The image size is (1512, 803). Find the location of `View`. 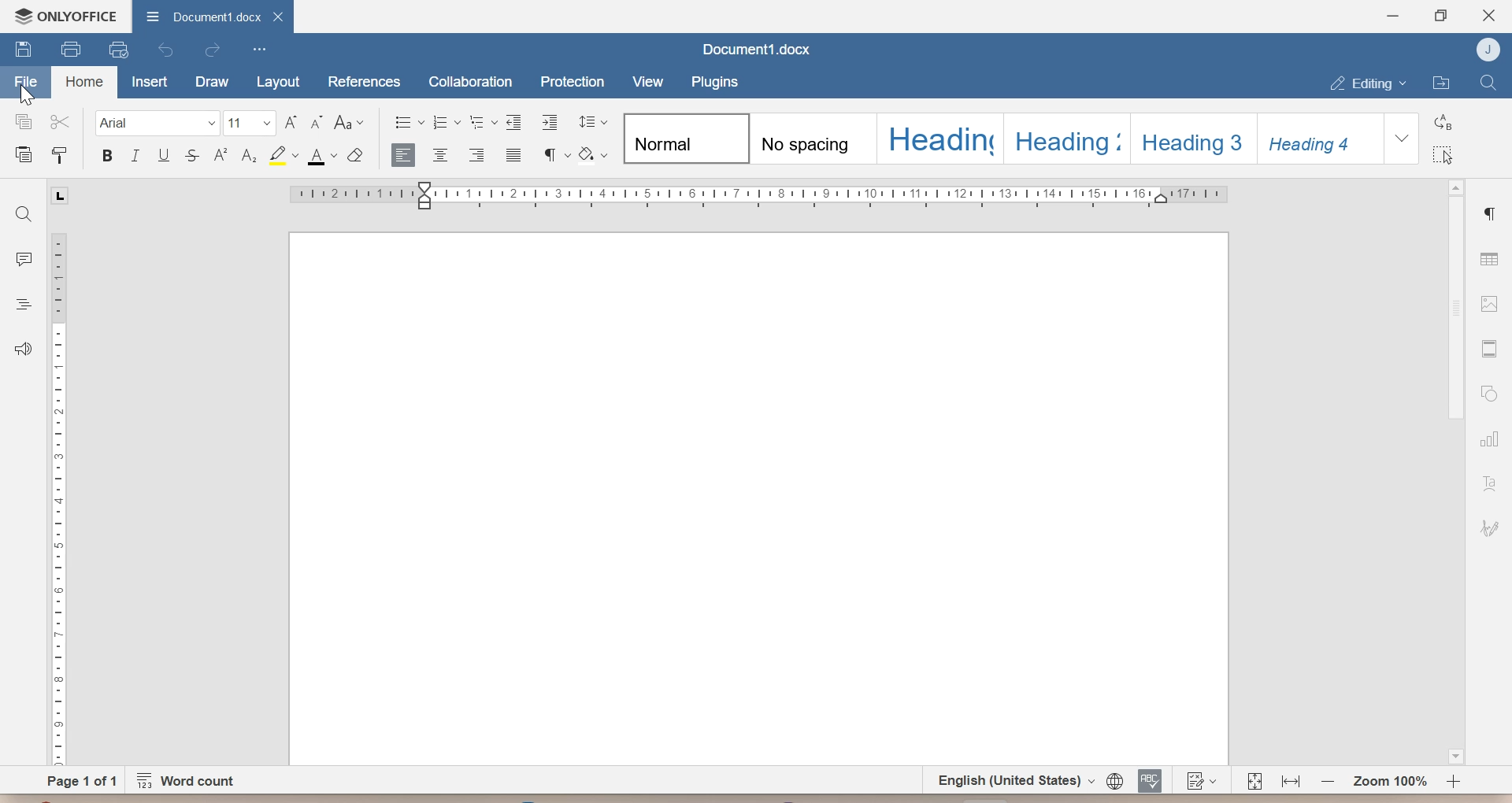

View is located at coordinates (646, 80).